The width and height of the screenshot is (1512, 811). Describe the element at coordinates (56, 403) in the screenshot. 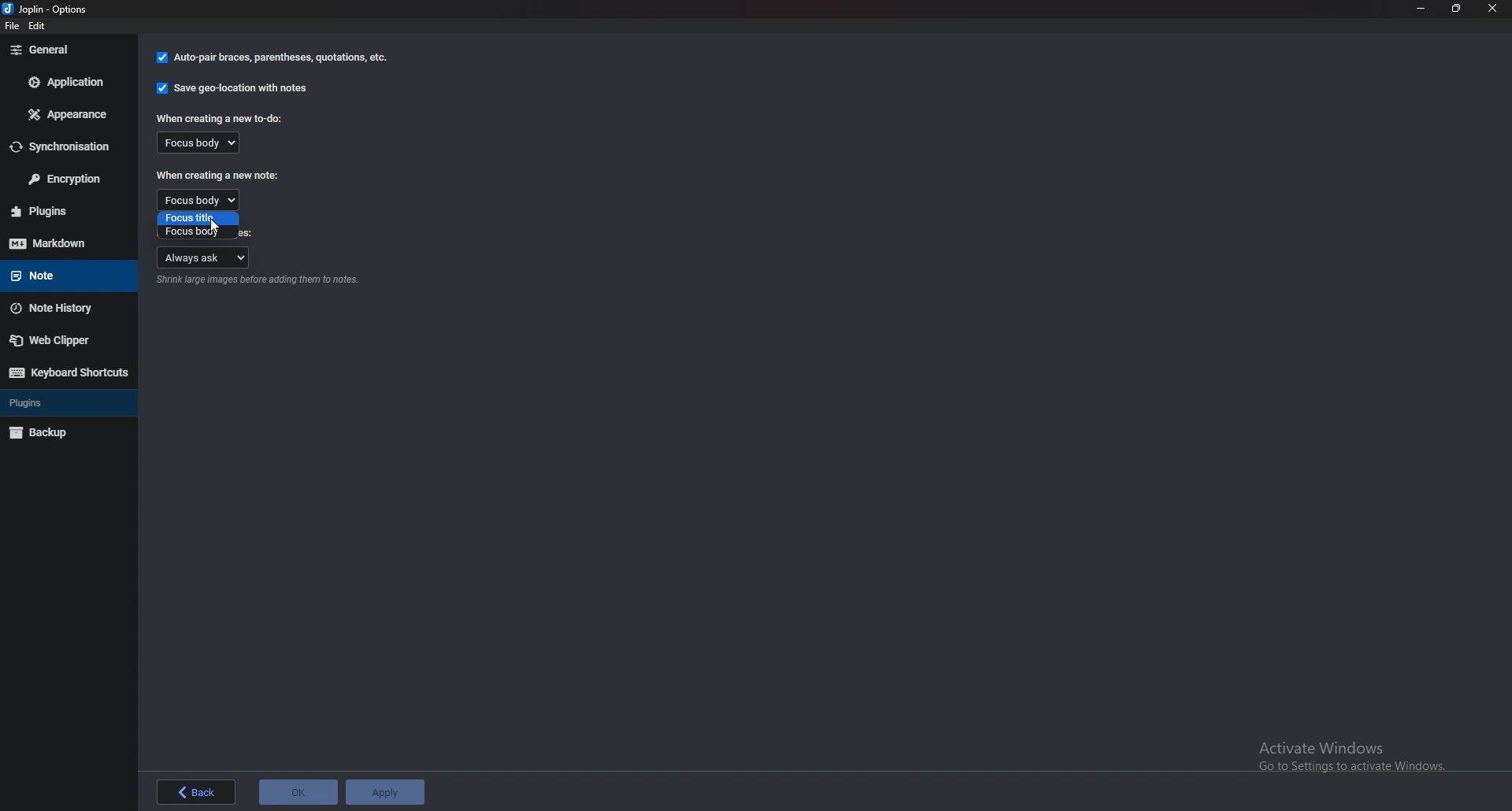

I see `Plugins` at that location.